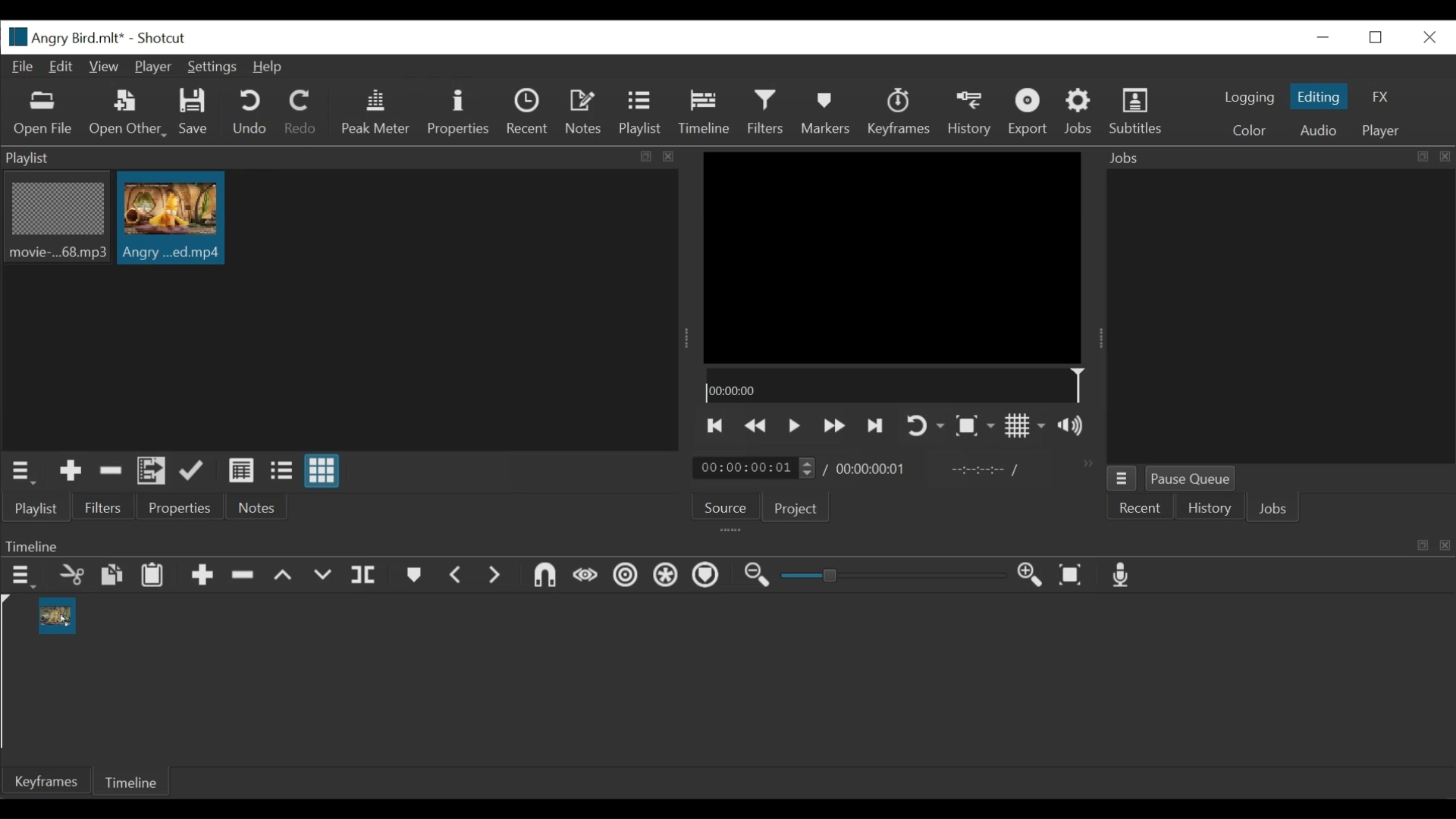  Describe the element at coordinates (766, 113) in the screenshot. I see `Filters` at that location.